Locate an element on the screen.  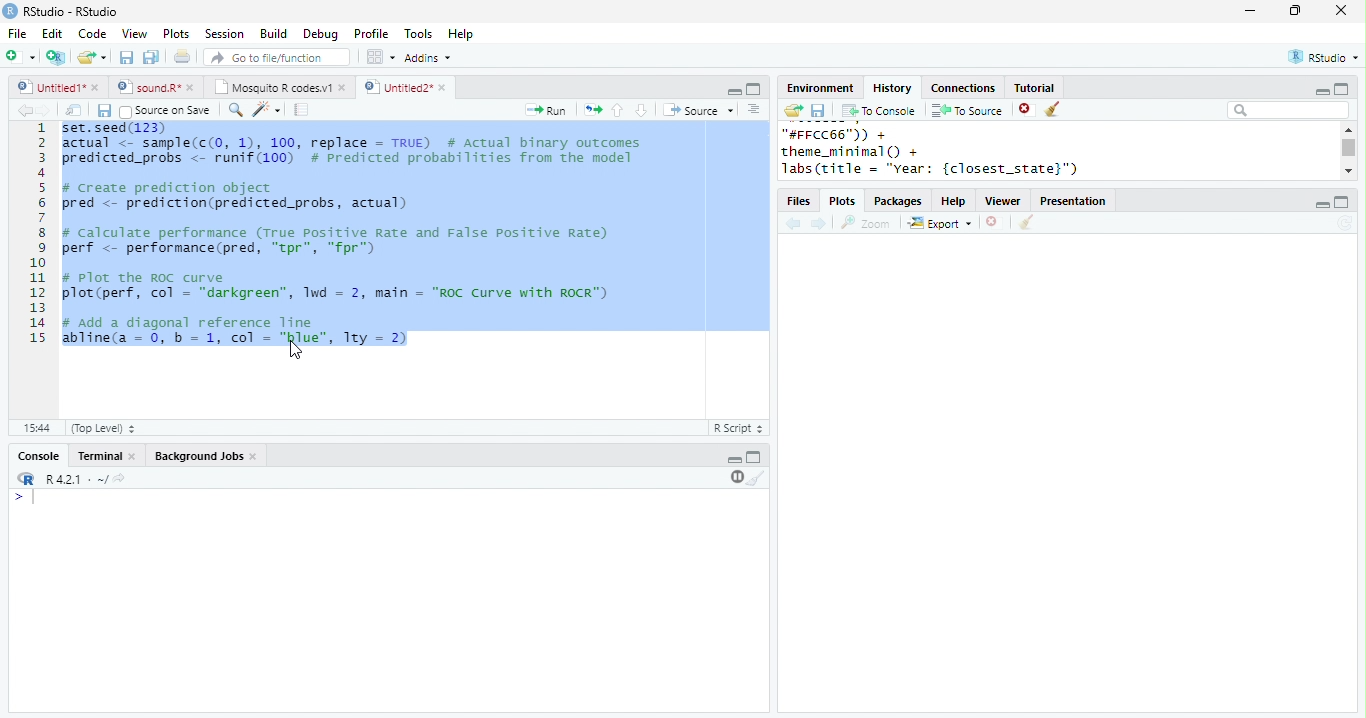
help is located at coordinates (954, 202).